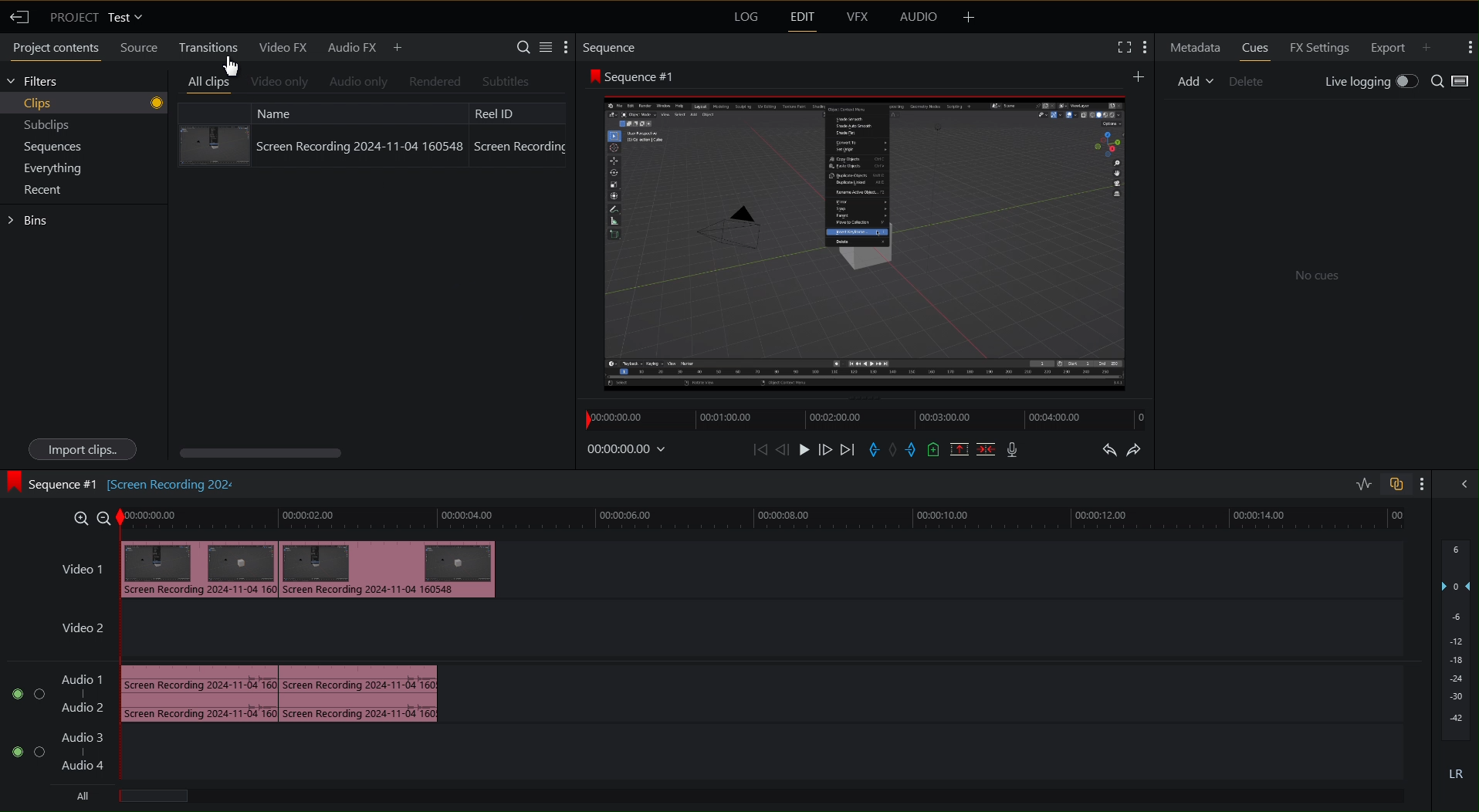  What do you see at coordinates (987, 449) in the screenshot?
I see `Delete/Cut` at bounding box center [987, 449].